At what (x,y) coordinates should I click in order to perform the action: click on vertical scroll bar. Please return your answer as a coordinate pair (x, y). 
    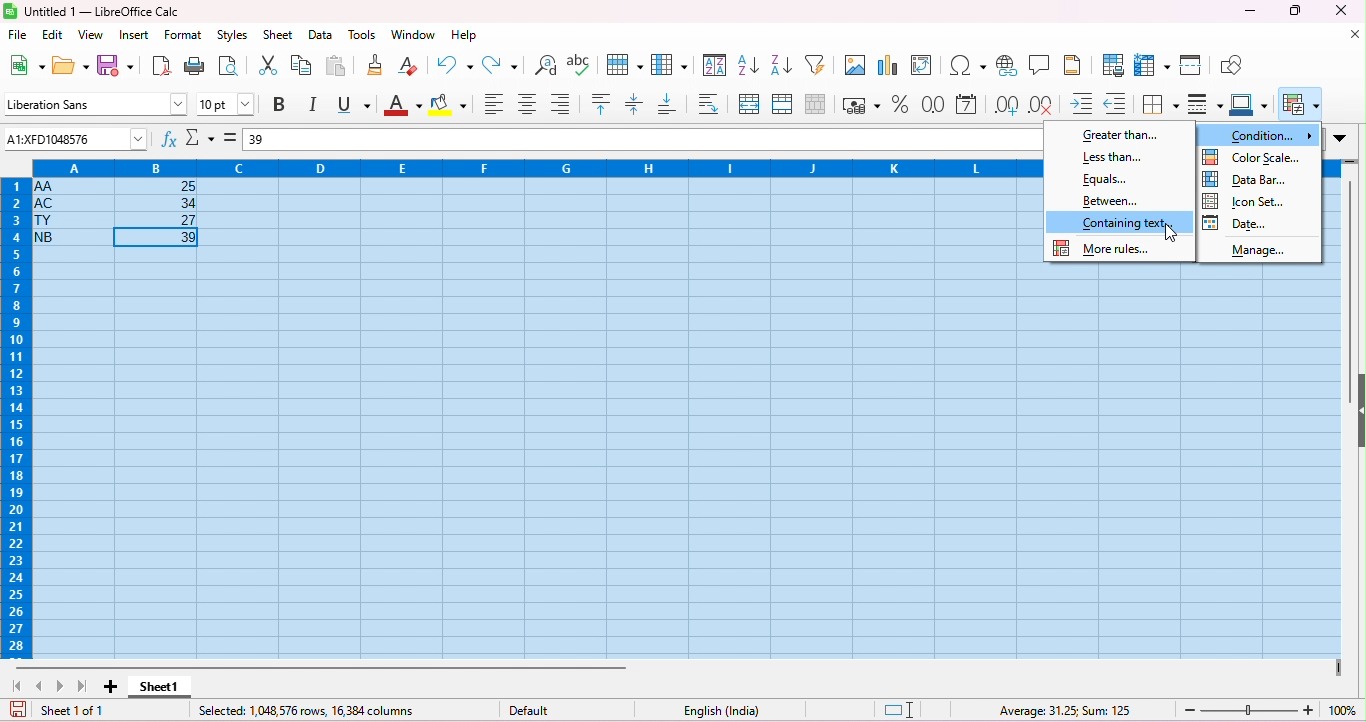
    Looking at the image, I should click on (1352, 262).